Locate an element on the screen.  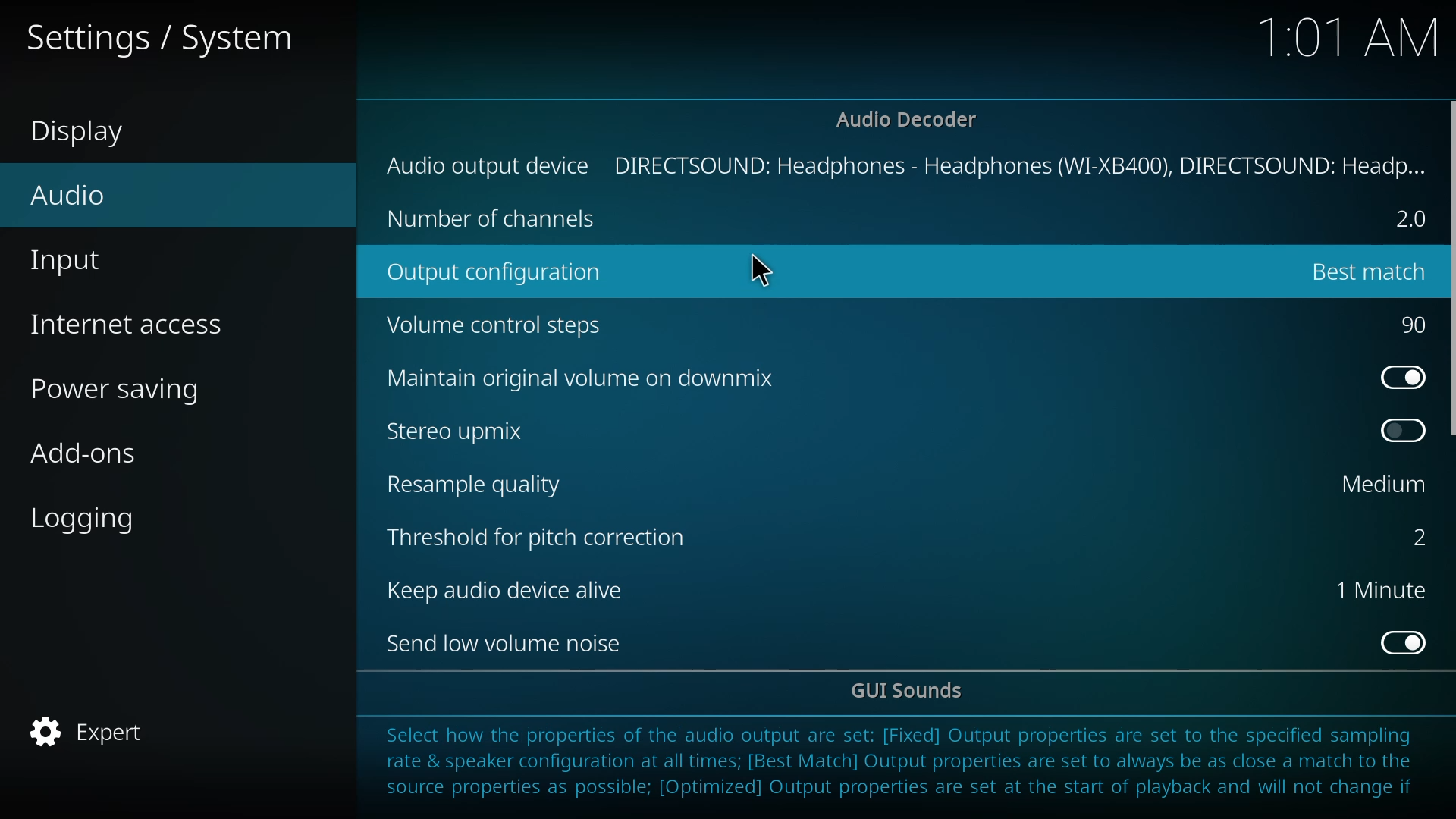
add-ons is located at coordinates (93, 456).